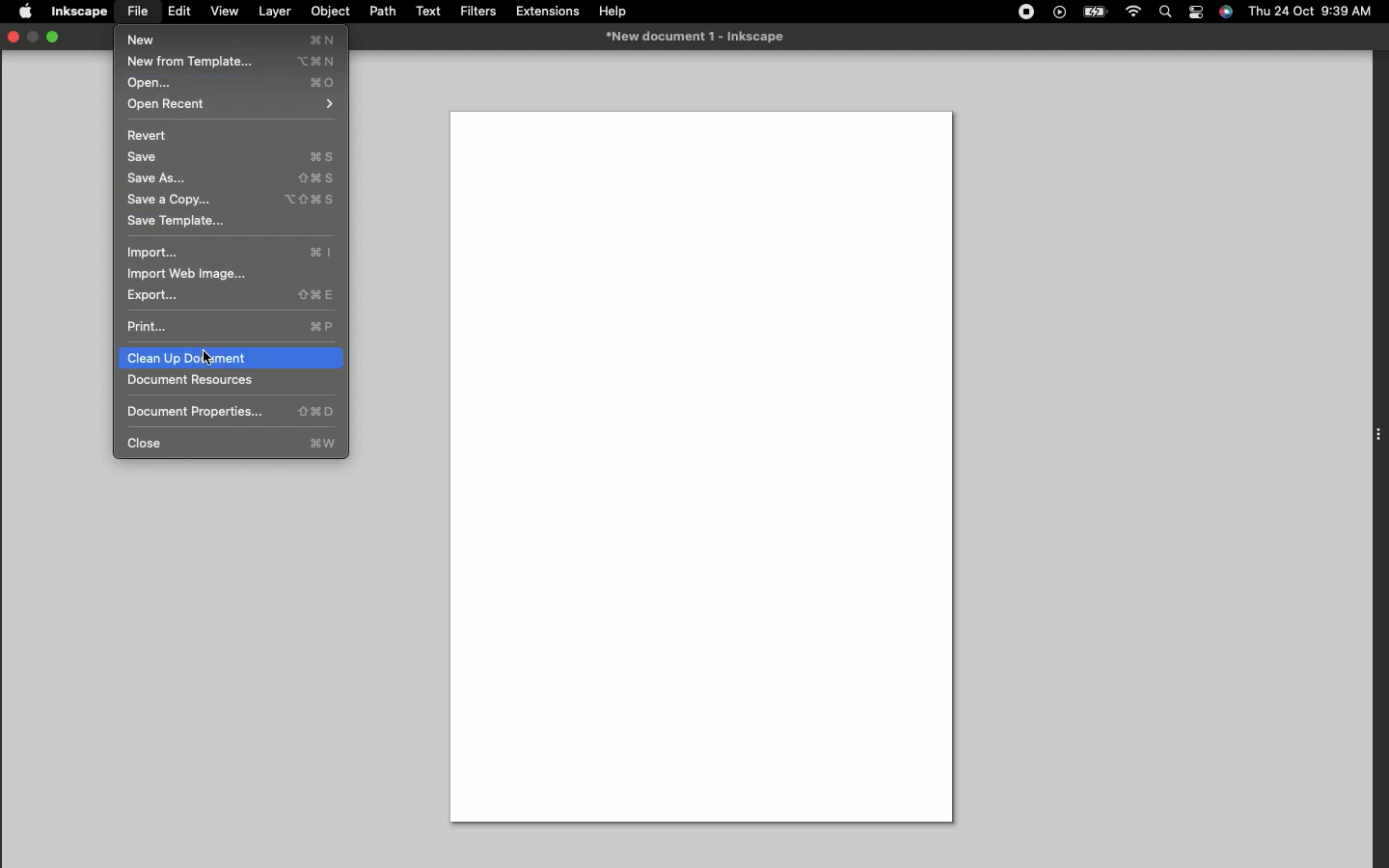 Image resolution: width=1389 pixels, height=868 pixels. I want to click on Save template, so click(178, 220).